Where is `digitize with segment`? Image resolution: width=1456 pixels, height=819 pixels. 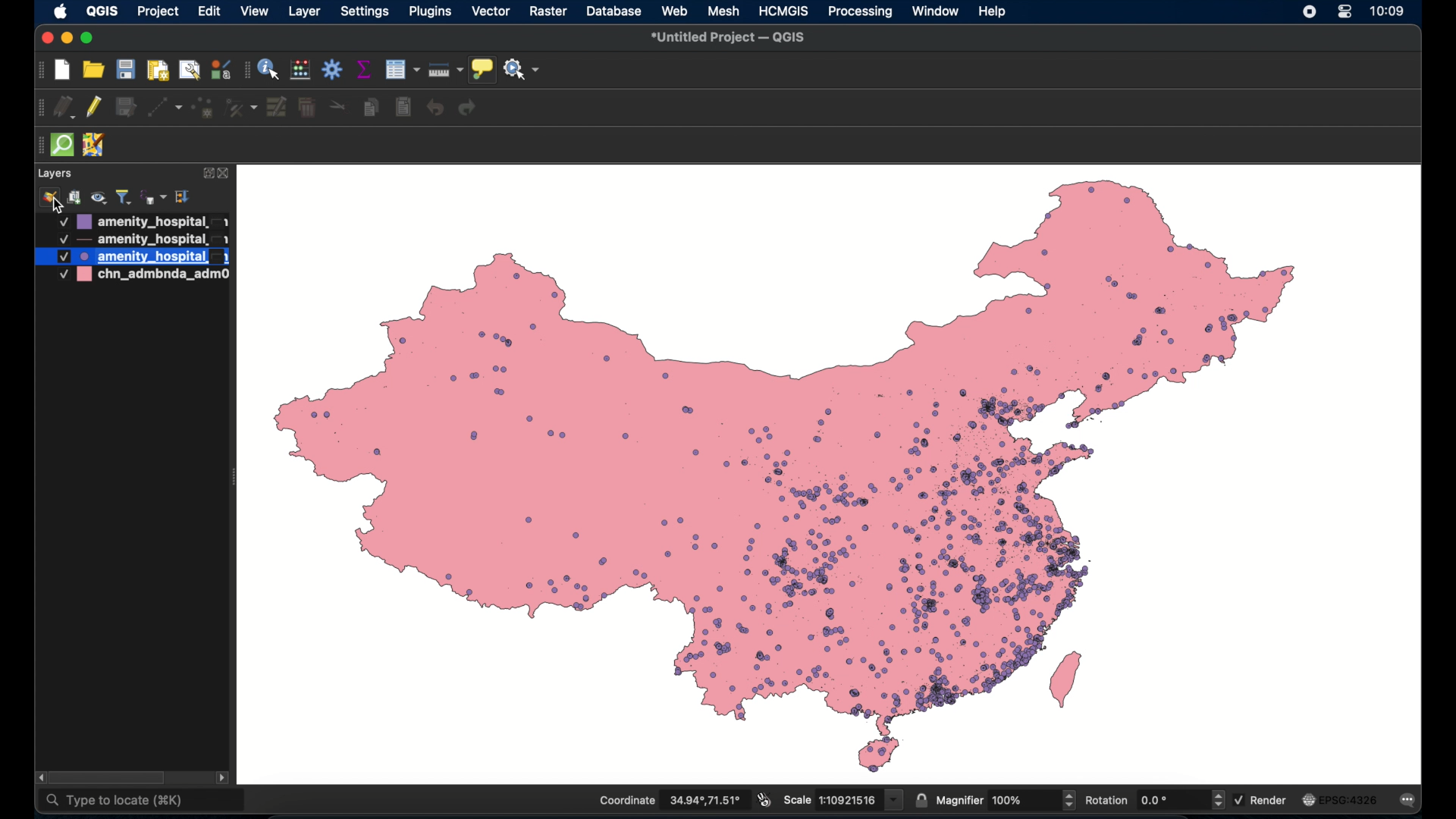
digitize with segment is located at coordinates (165, 109).